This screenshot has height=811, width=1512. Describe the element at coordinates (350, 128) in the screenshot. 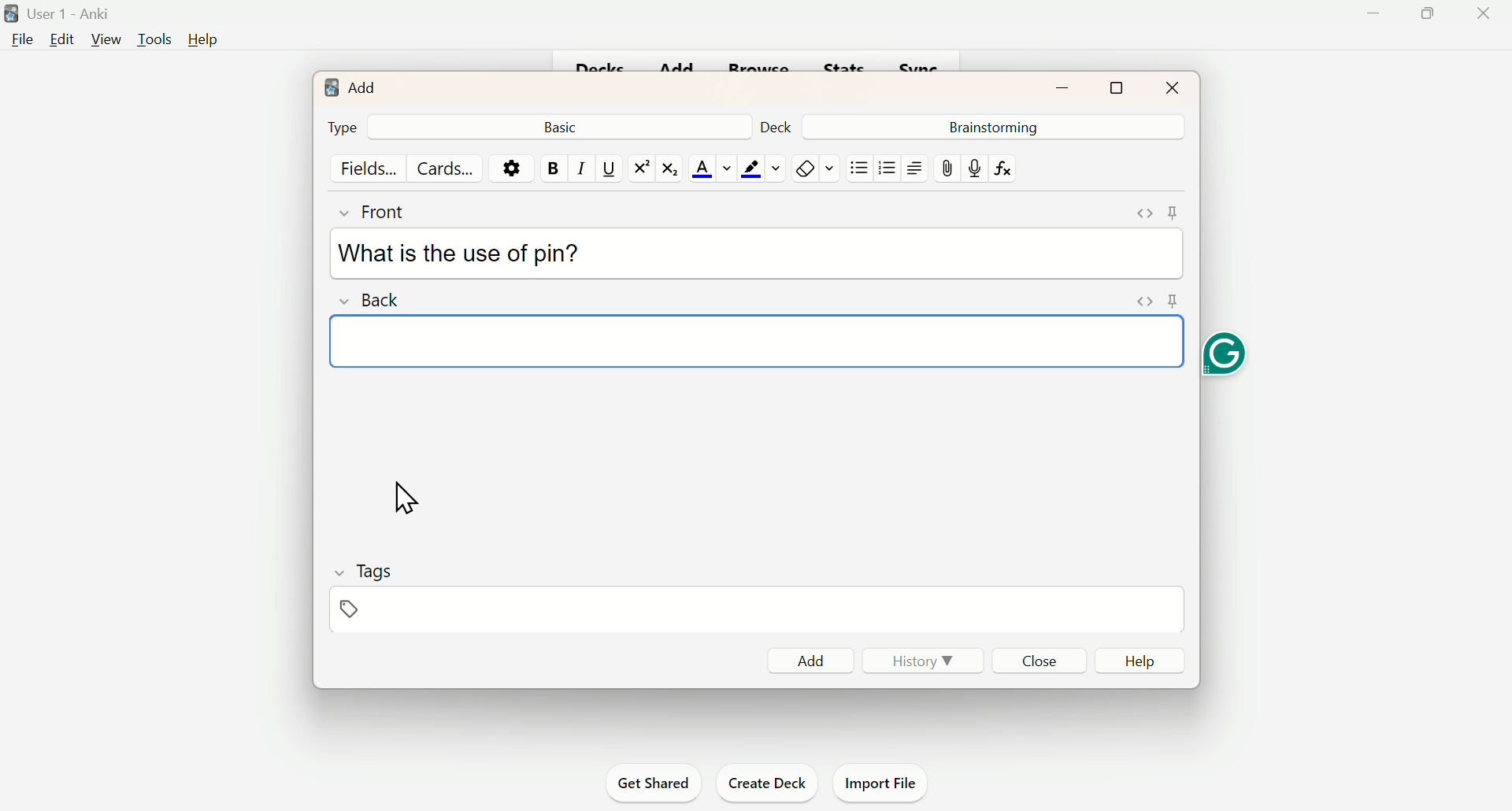

I see `` at that location.